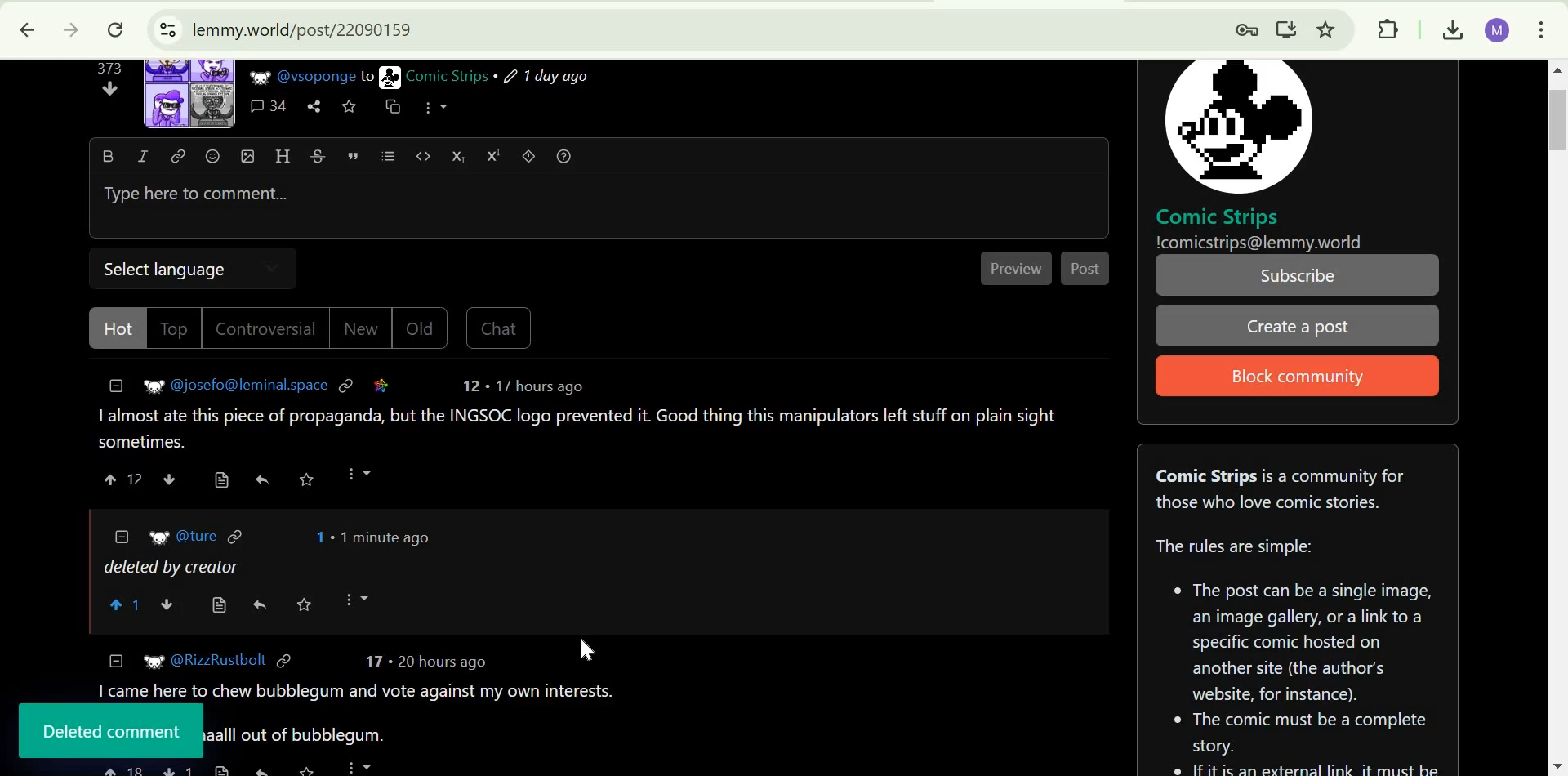 This screenshot has height=776, width=1568. Describe the element at coordinates (190, 93) in the screenshot. I see `expand here` at that location.